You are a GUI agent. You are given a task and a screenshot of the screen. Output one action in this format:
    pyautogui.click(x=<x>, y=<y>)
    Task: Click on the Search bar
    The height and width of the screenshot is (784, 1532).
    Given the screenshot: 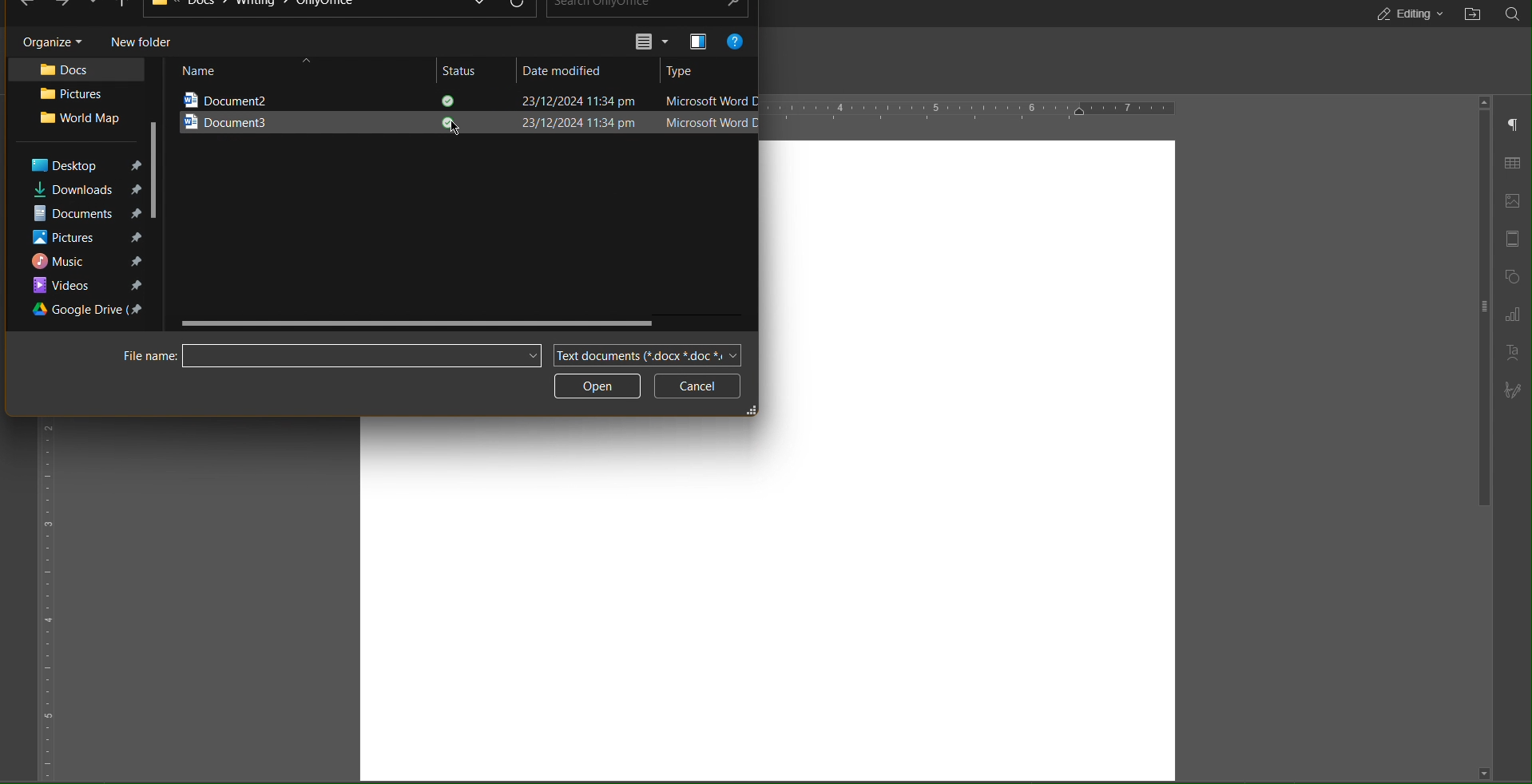 What is the action you would take?
    pyautogui.click(x=327, y=355)
    